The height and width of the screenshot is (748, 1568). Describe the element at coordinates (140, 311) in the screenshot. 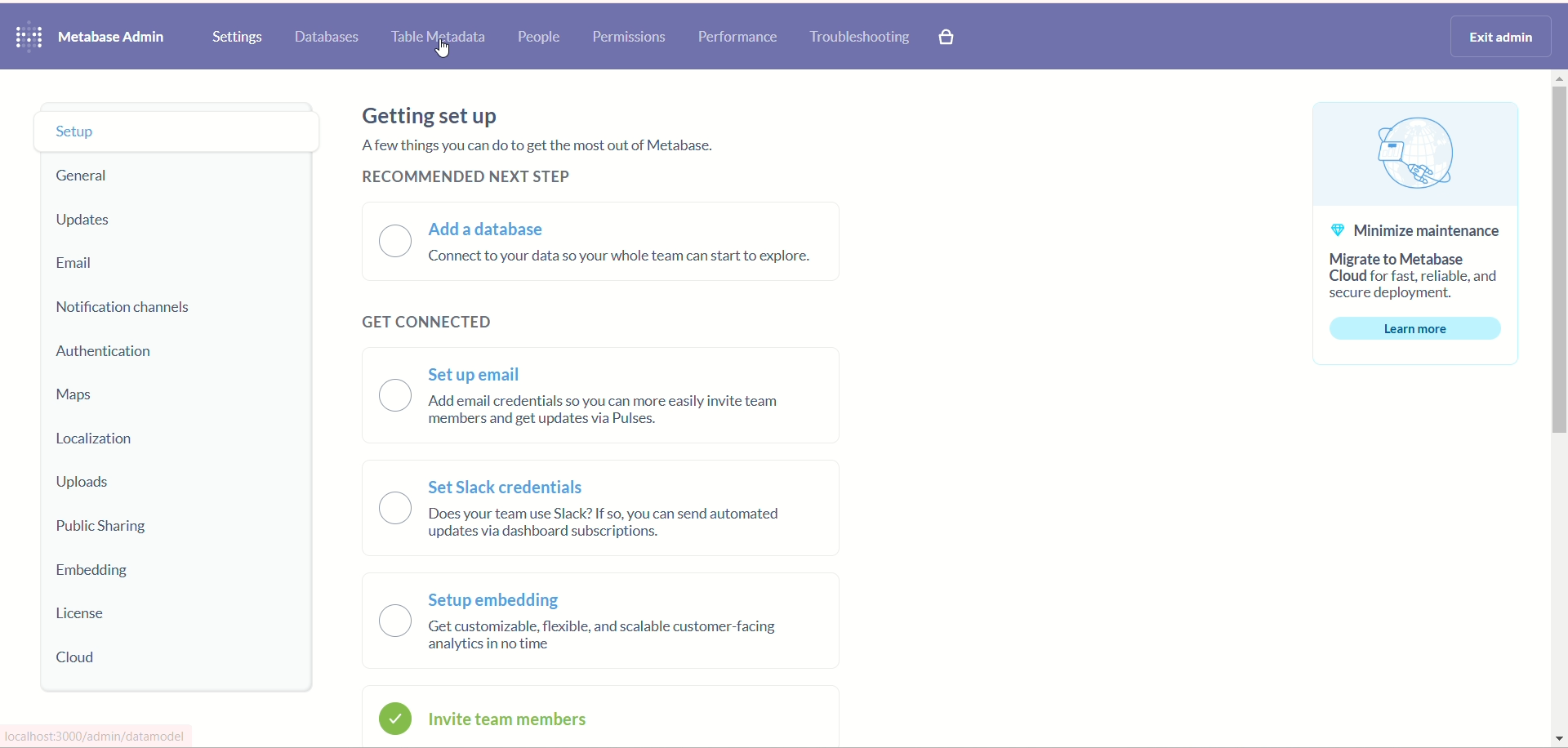

I see `notification channels` at that location.